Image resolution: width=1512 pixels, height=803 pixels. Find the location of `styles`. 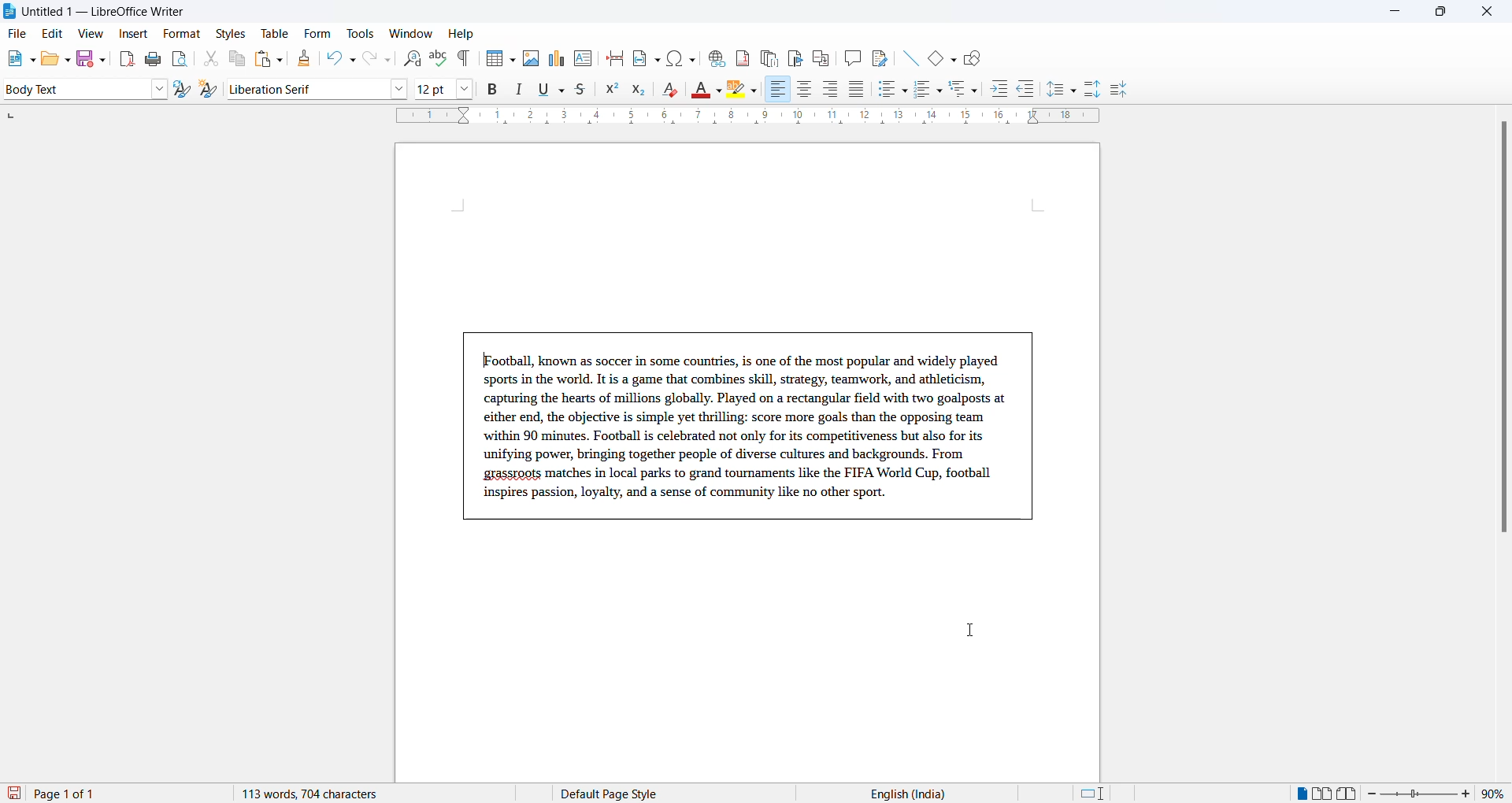

styles is located at coordinates (230, 32).